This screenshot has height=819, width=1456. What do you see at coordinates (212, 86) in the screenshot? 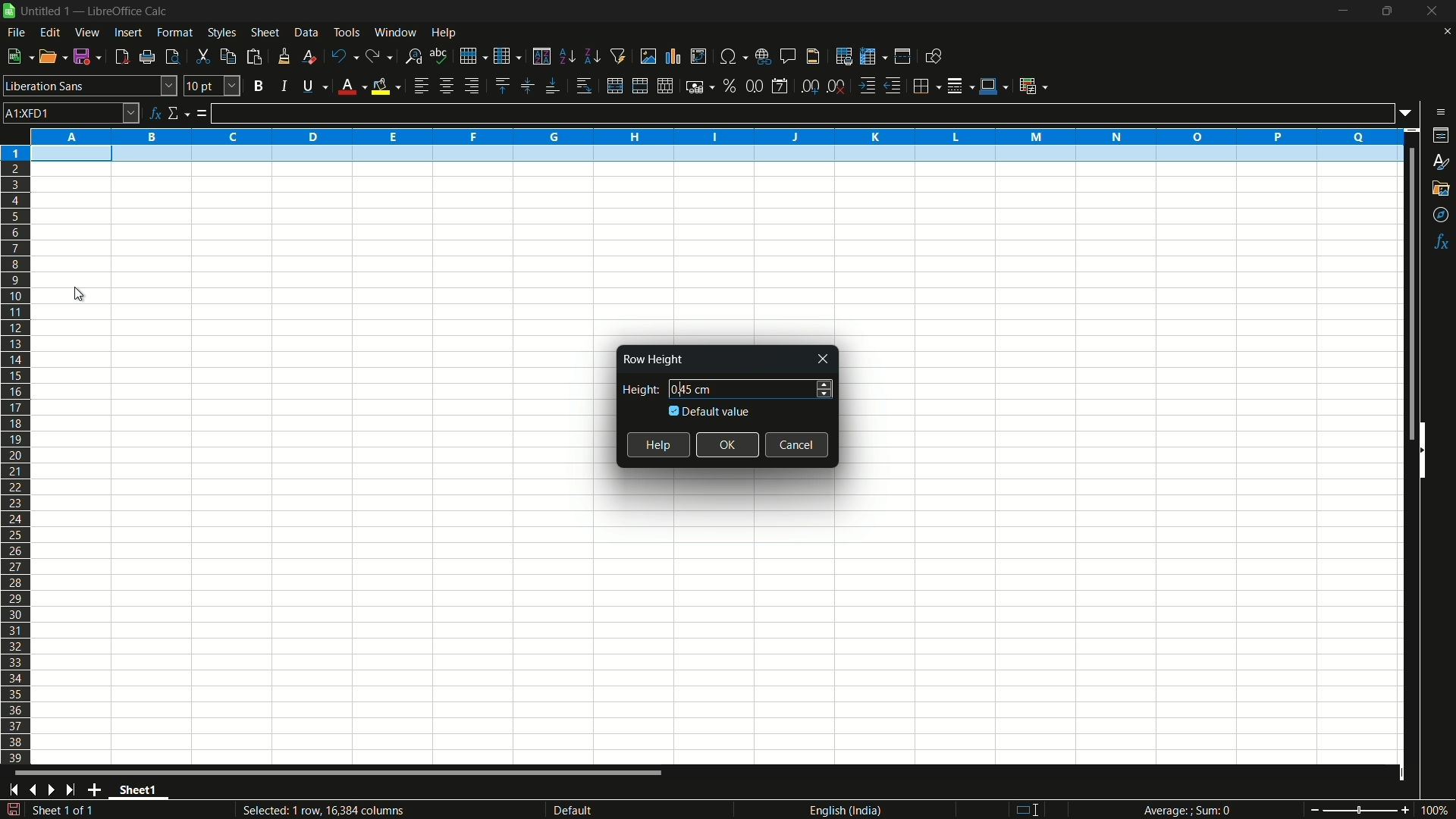
I see `font size` at bounding box center [212, 86].